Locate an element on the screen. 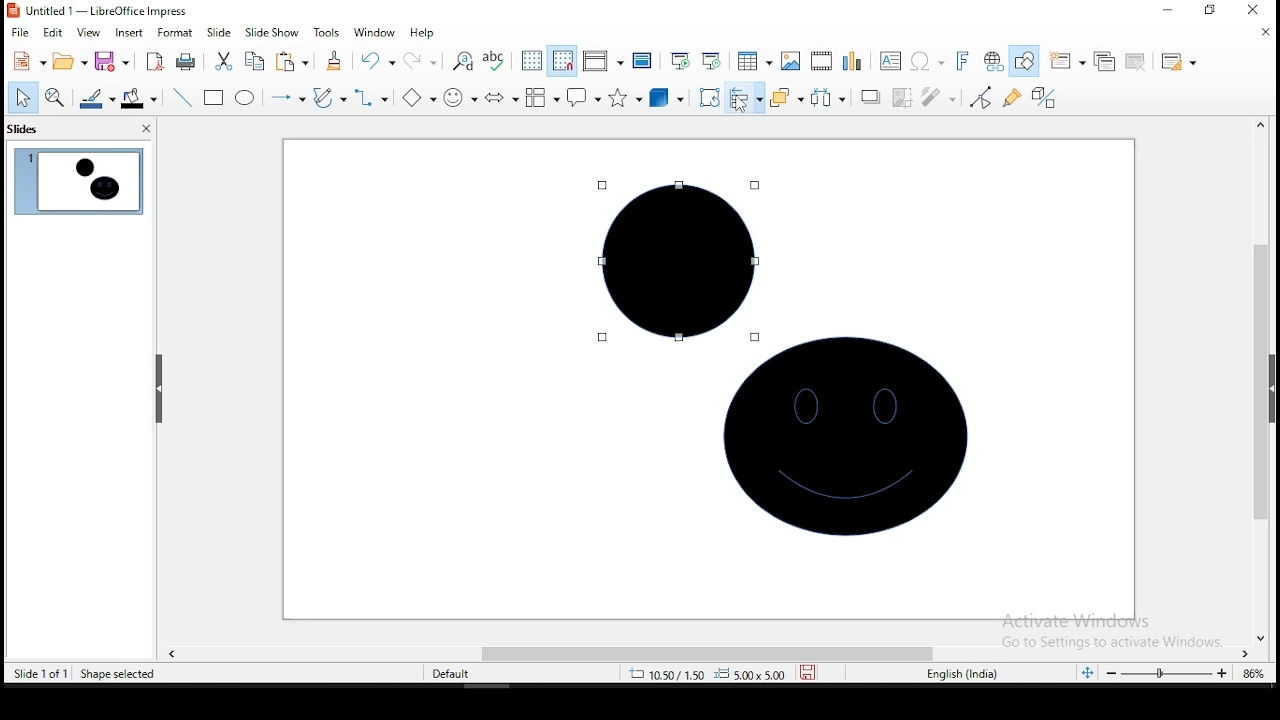  icon and filename is located at coordinates (98, 11).